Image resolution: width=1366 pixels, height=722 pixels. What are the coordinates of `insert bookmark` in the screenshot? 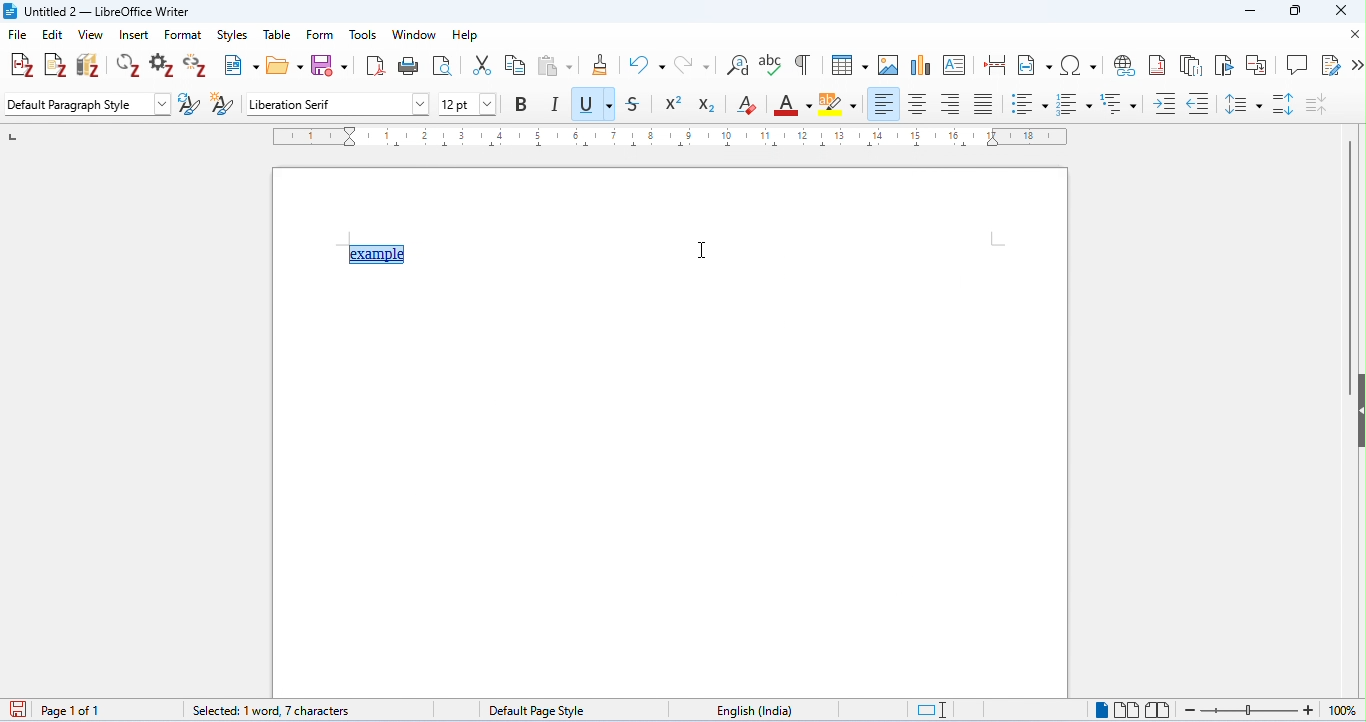 It's located at (1227, 65).